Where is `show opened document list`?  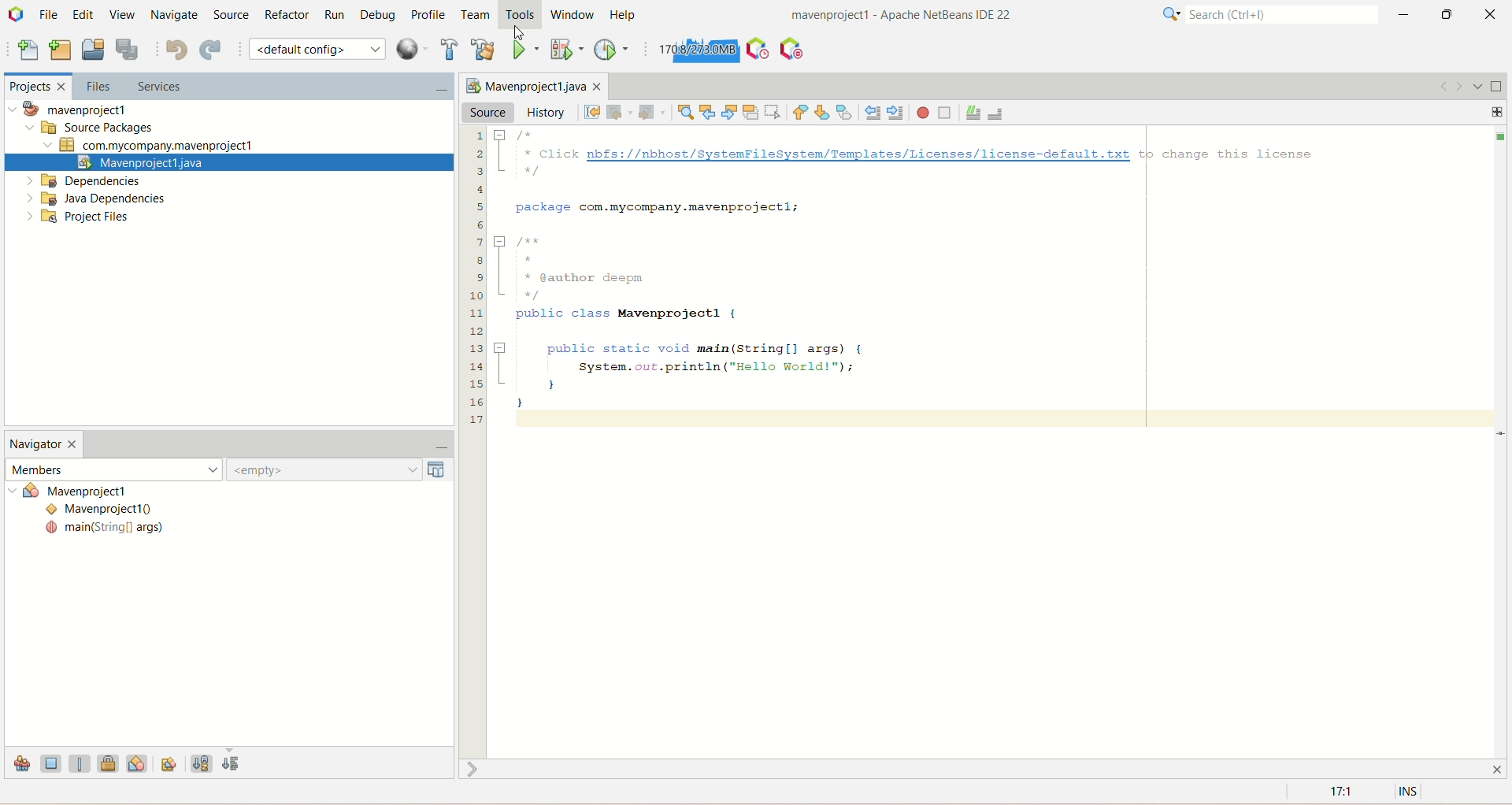
show opened document list is located at coordinates (1477, 85).